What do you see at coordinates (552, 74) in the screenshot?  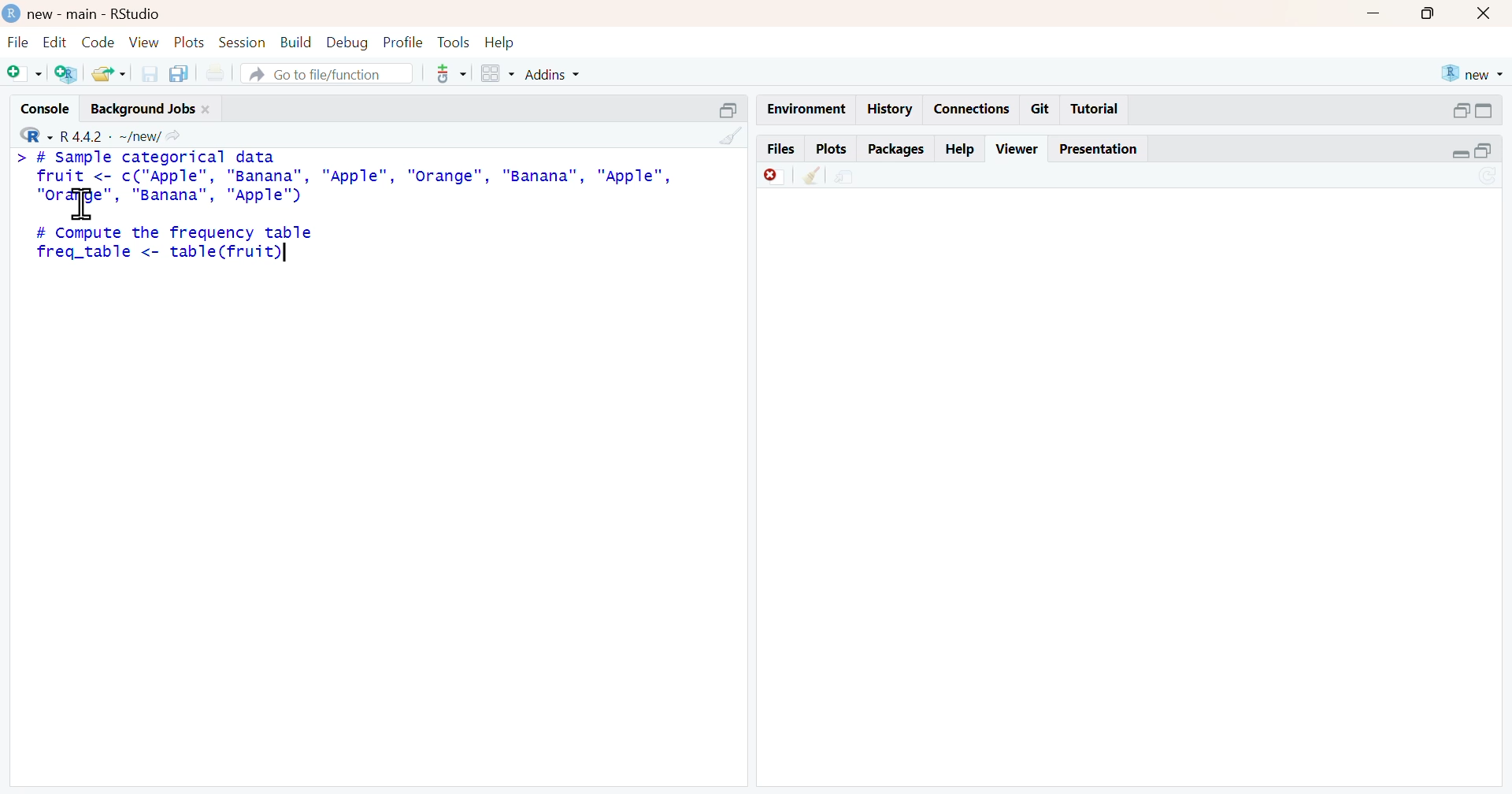 I see `Addins` at bounding box center [552, 74].